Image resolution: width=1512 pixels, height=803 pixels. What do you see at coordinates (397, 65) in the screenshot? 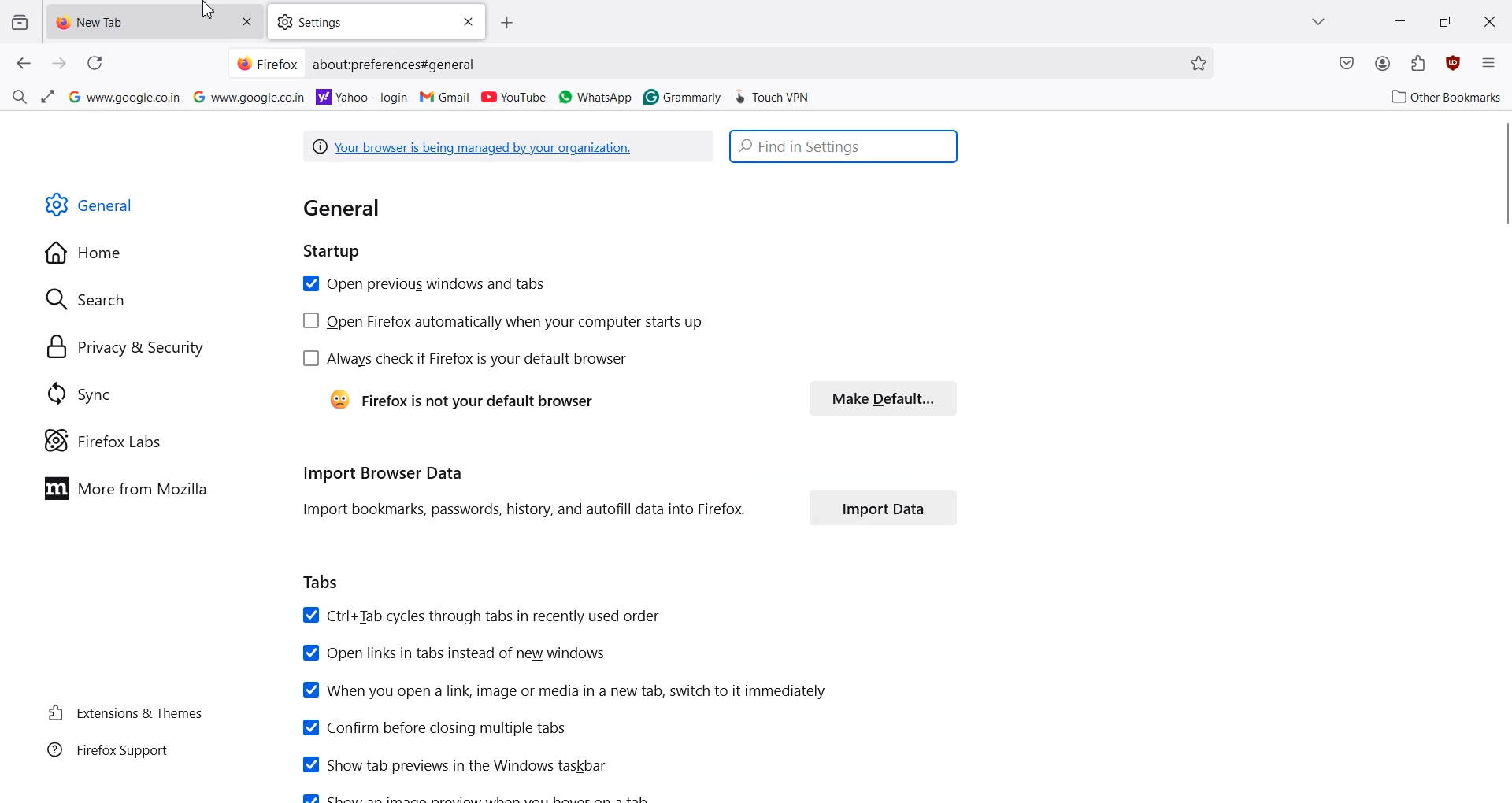
I see `Hyperlink` at bounding box center [397, 65].